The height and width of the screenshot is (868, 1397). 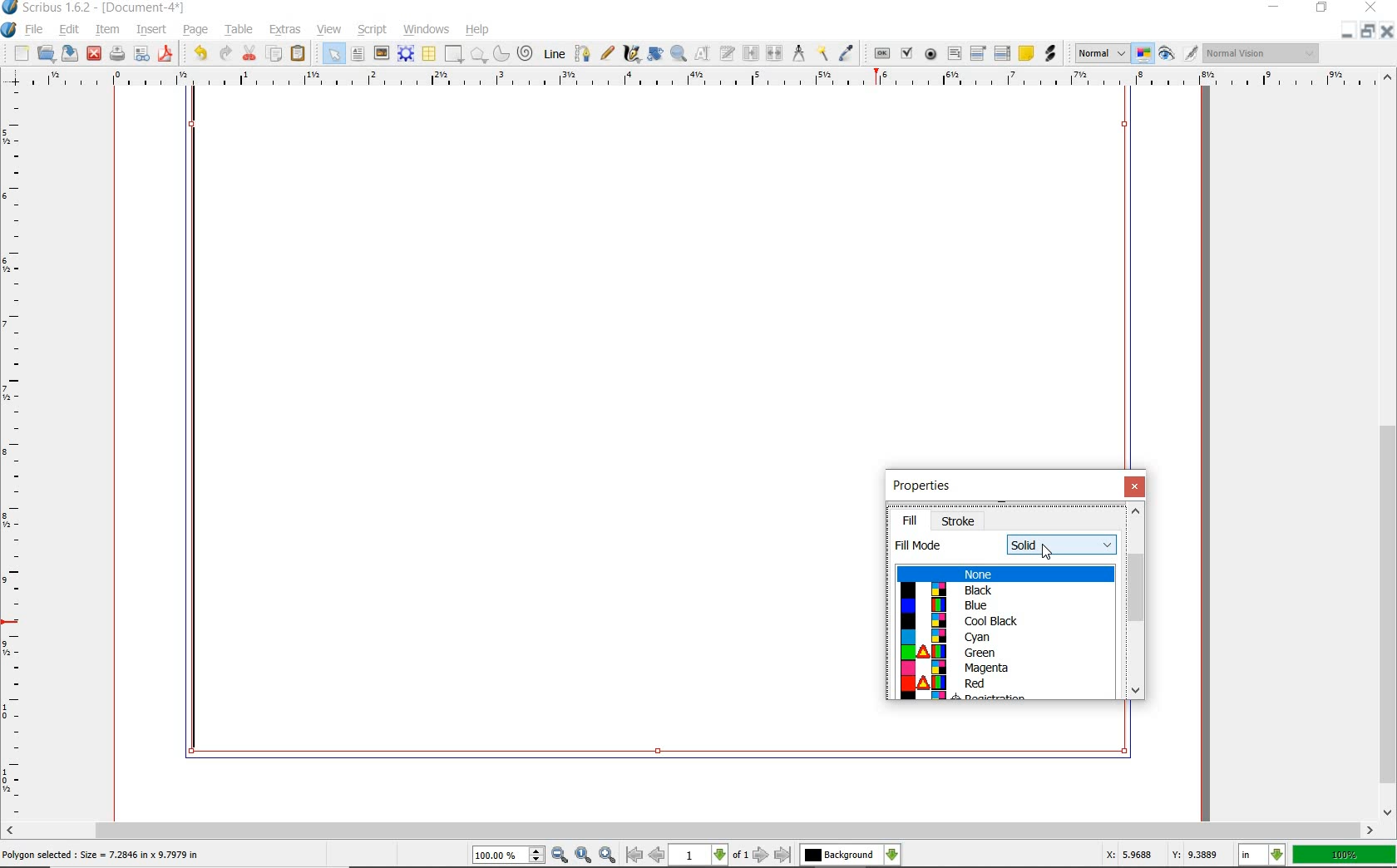 I want to click on Magenta, so click(x=1002, y=669).